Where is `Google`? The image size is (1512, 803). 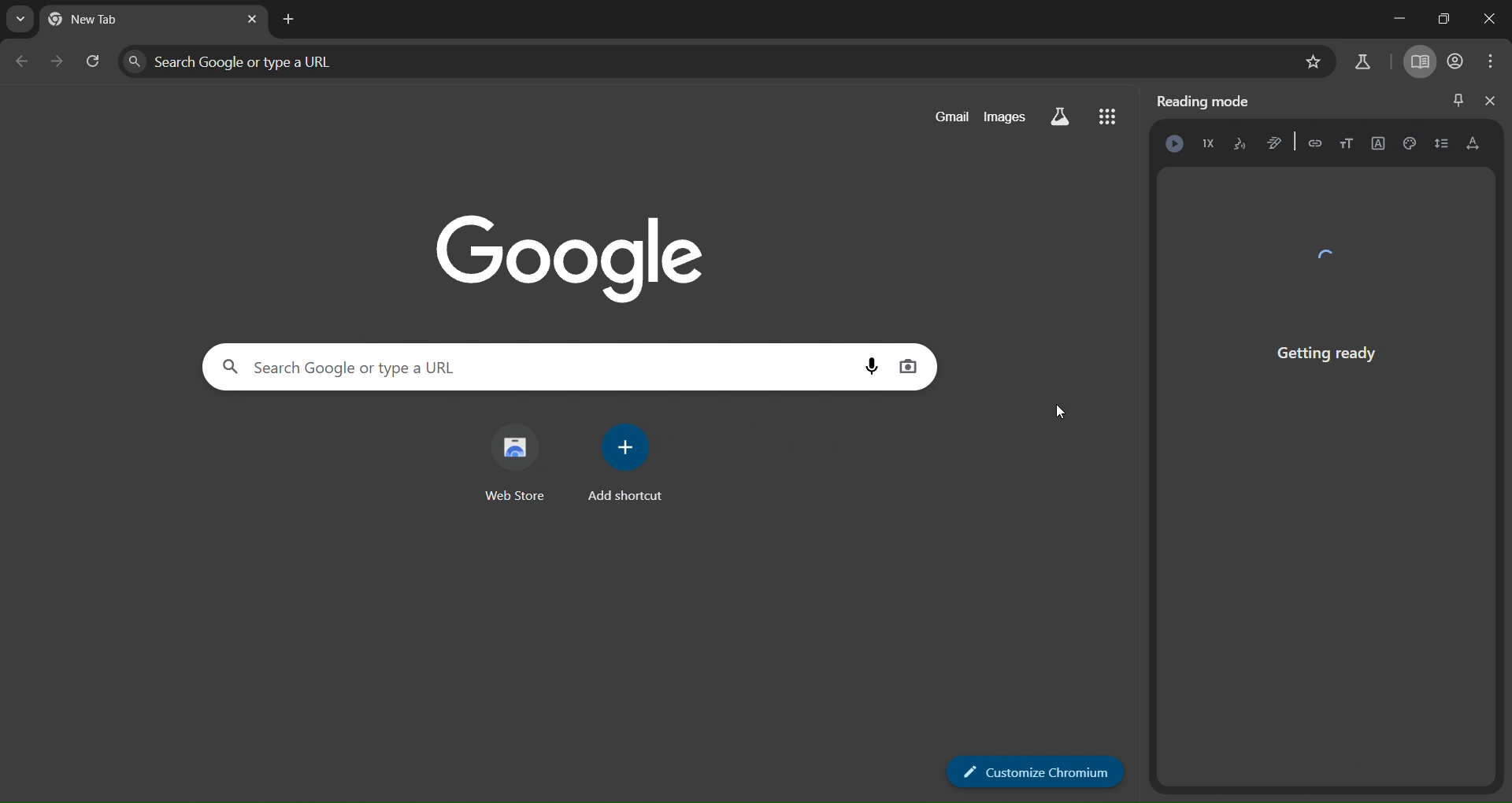 Google is located at coordinates (569, 242).